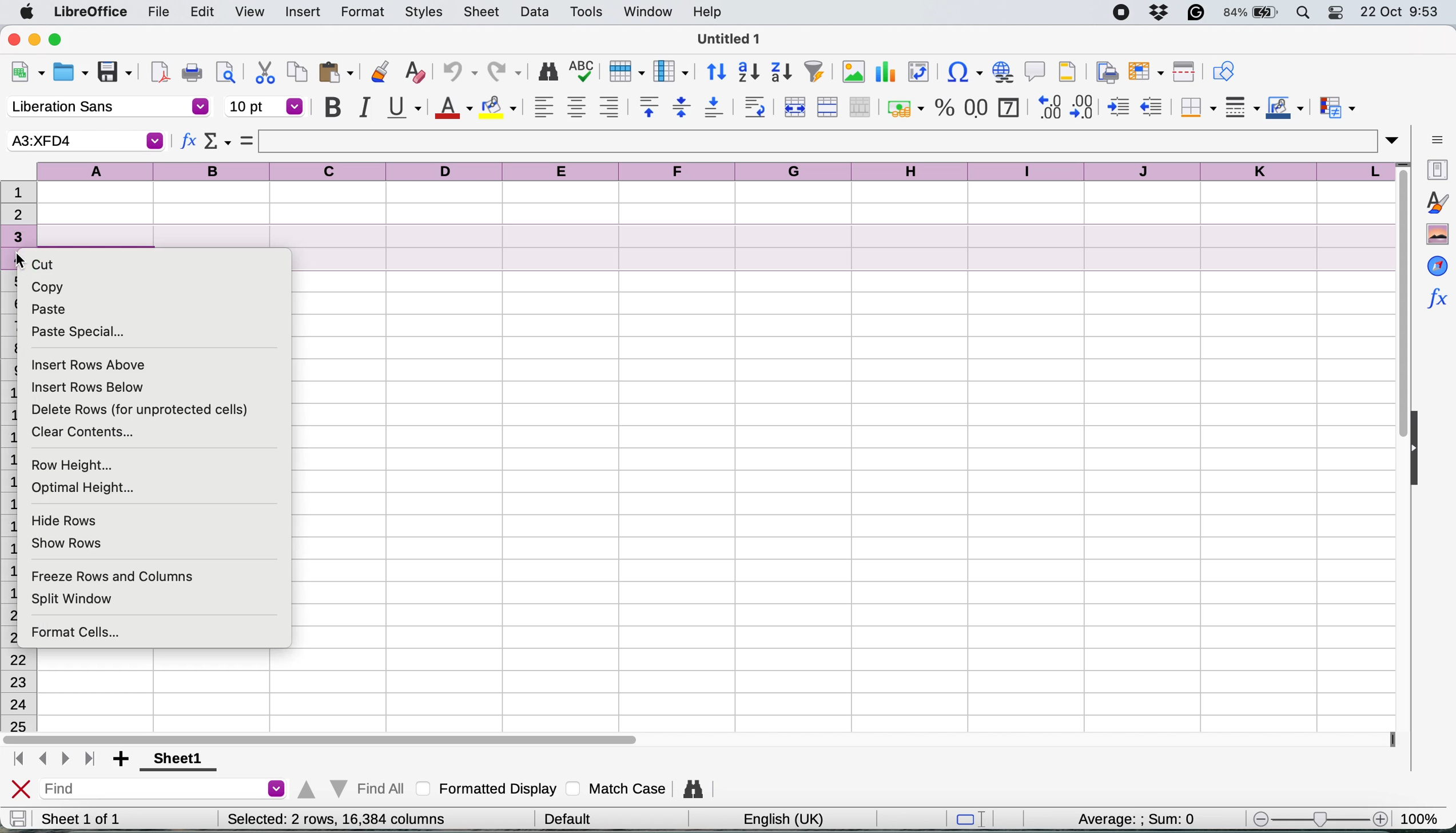 Image resolution: width=1456 pixels, height=833 pixels. Describe the element at coordinates (793, 105) in the screenshot. I see `merge and center or unmerge` at that location.